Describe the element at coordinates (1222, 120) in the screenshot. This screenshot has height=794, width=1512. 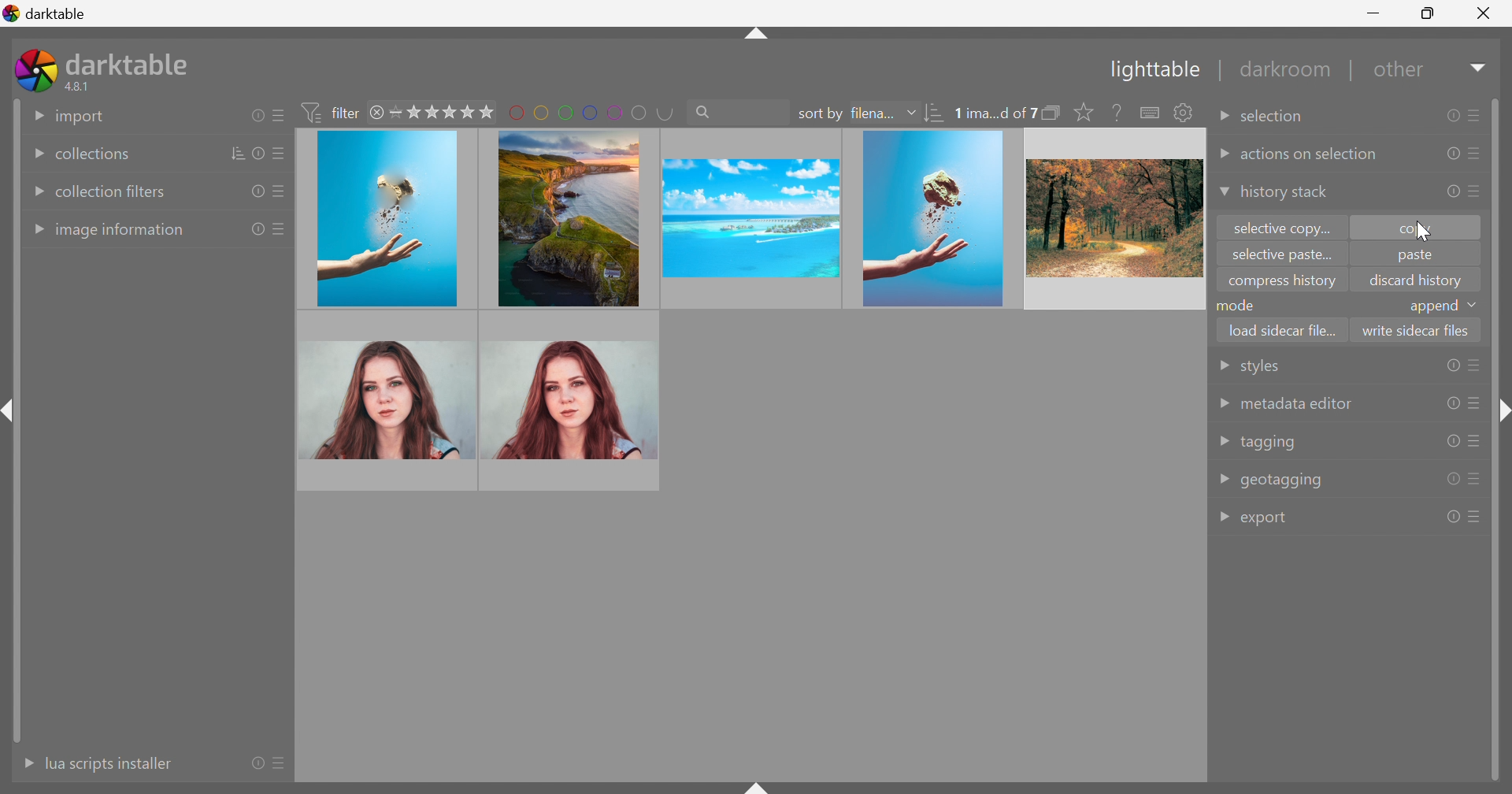
I see `Drop Down` at that location.